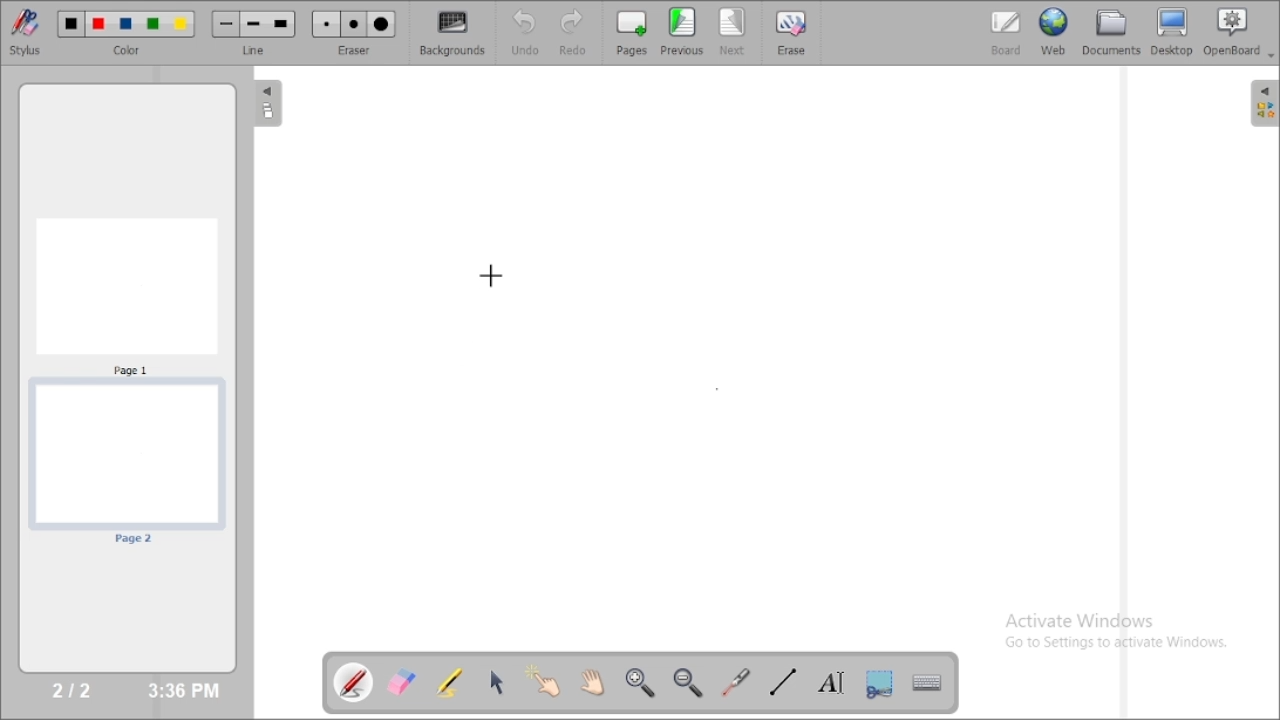 Image resolution: width=1280 pixels, height=720 pixels. I want to click on select and modify objects, so click(497, 682).